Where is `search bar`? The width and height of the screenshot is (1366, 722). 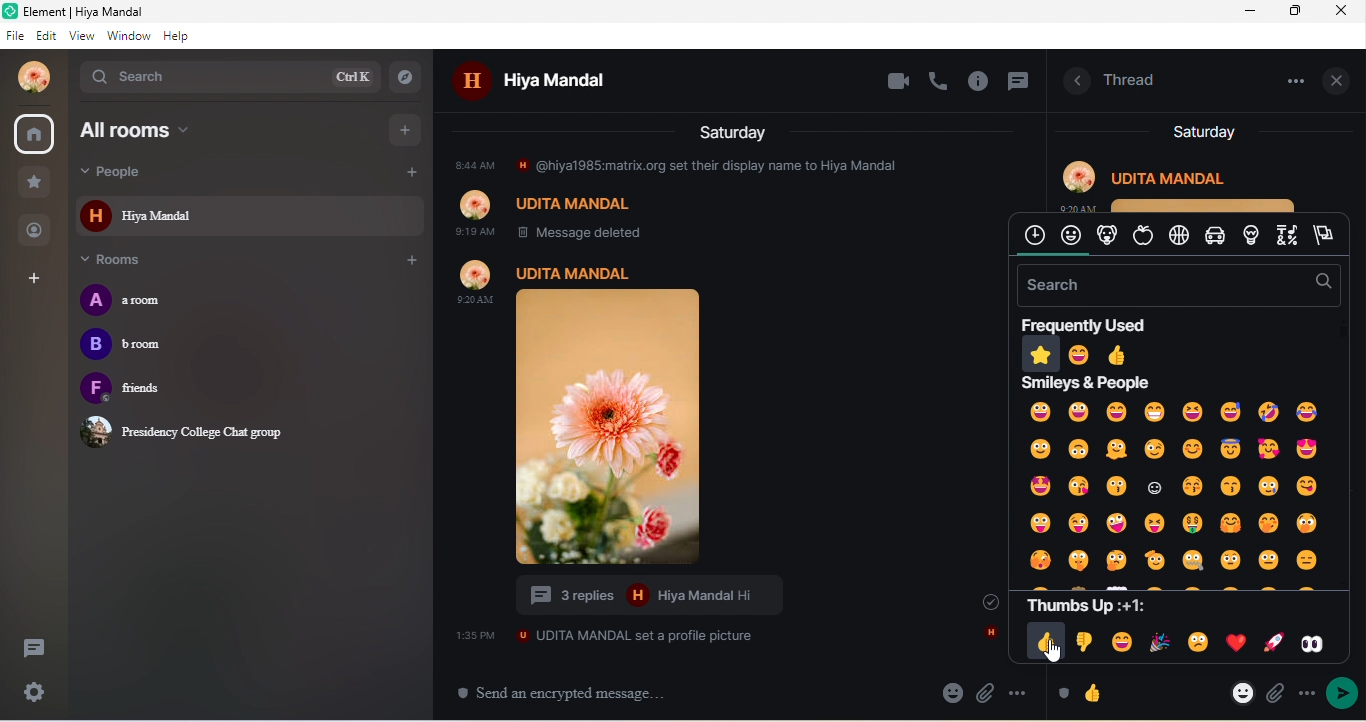 search bar is located at coordinates (1175, 285).